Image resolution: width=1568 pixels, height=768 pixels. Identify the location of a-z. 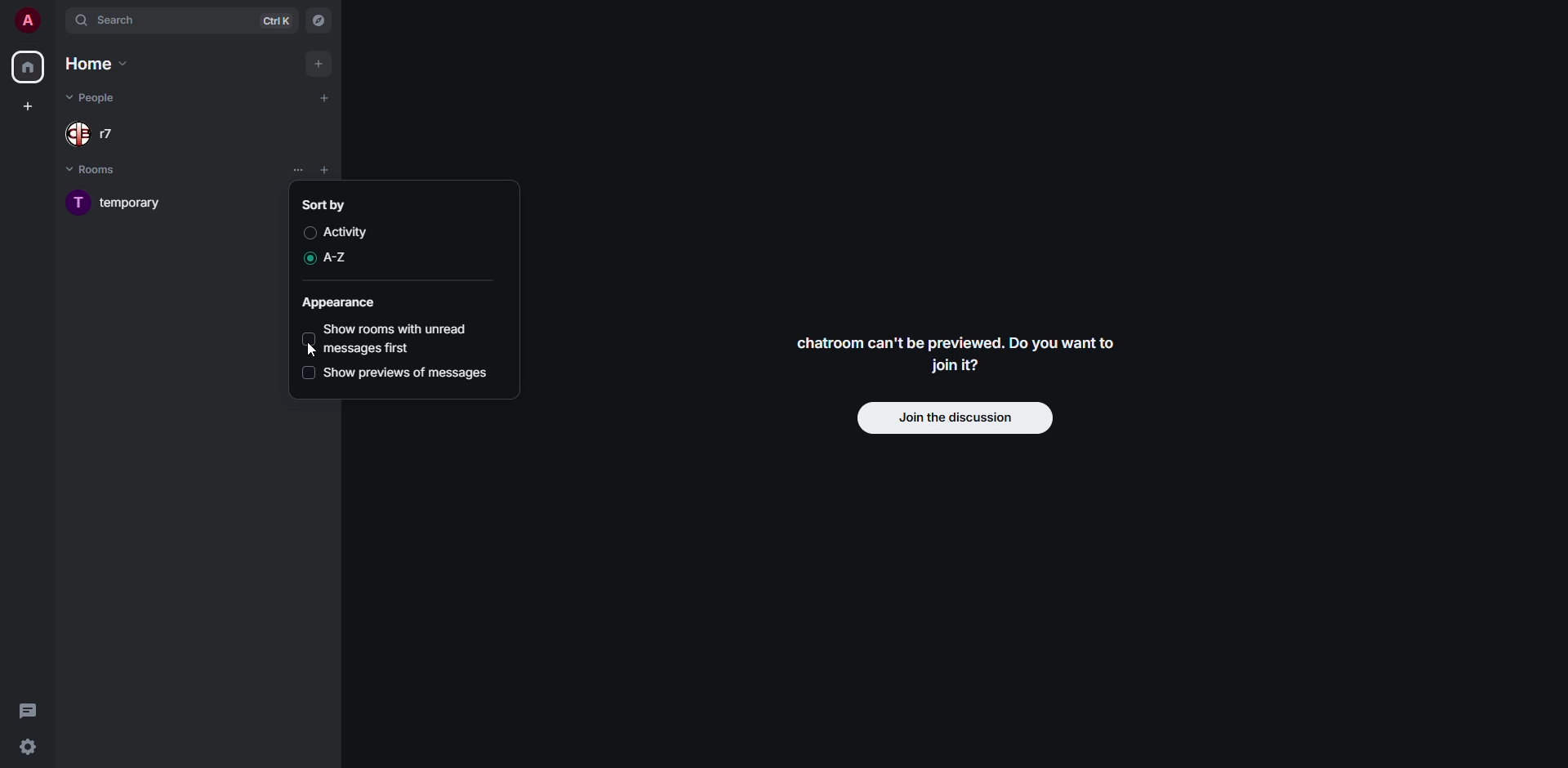
(341, 257).